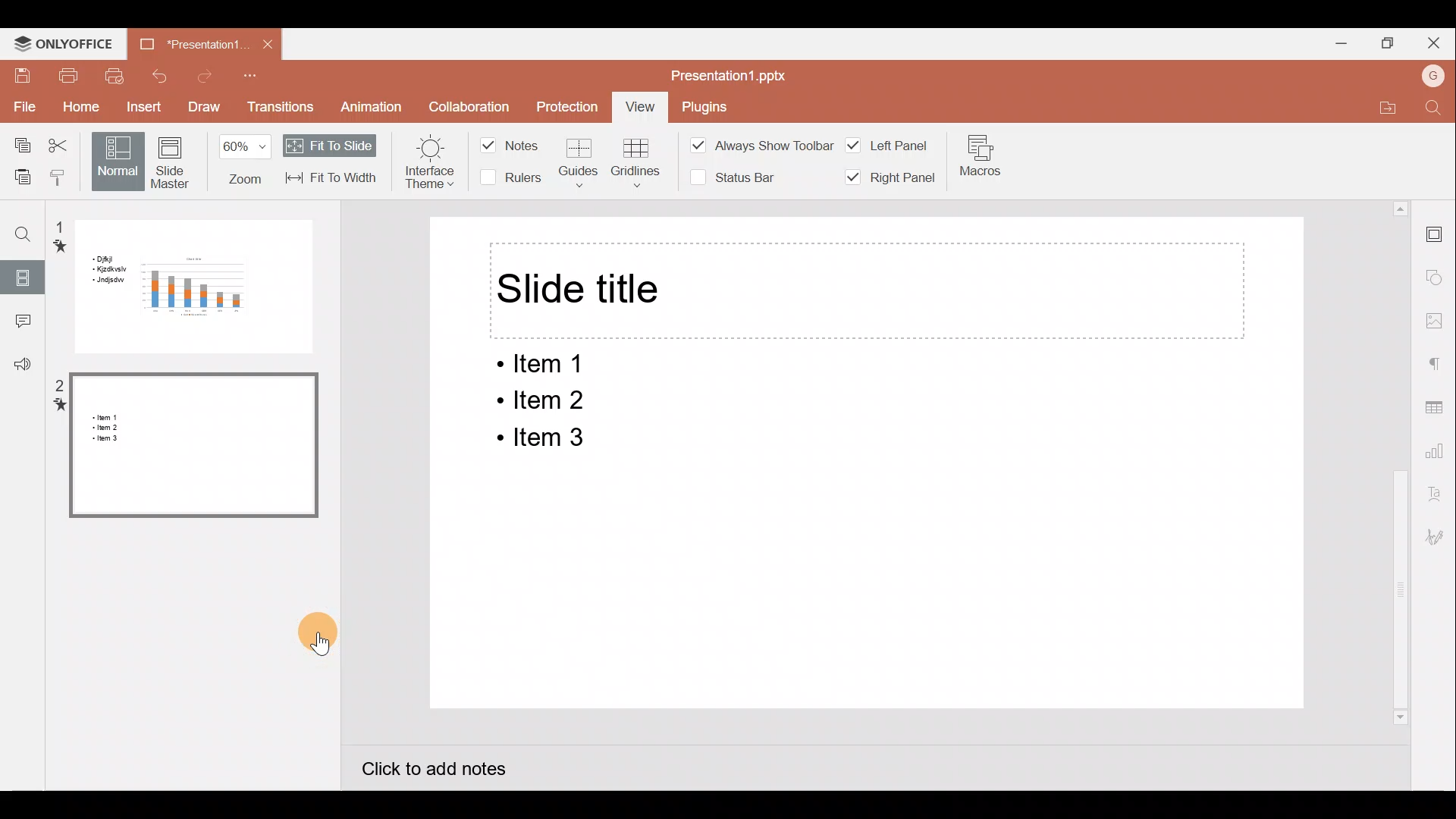 This screenshot has width=1456, height=819. I want to click on Cursor, so click(323, 631).